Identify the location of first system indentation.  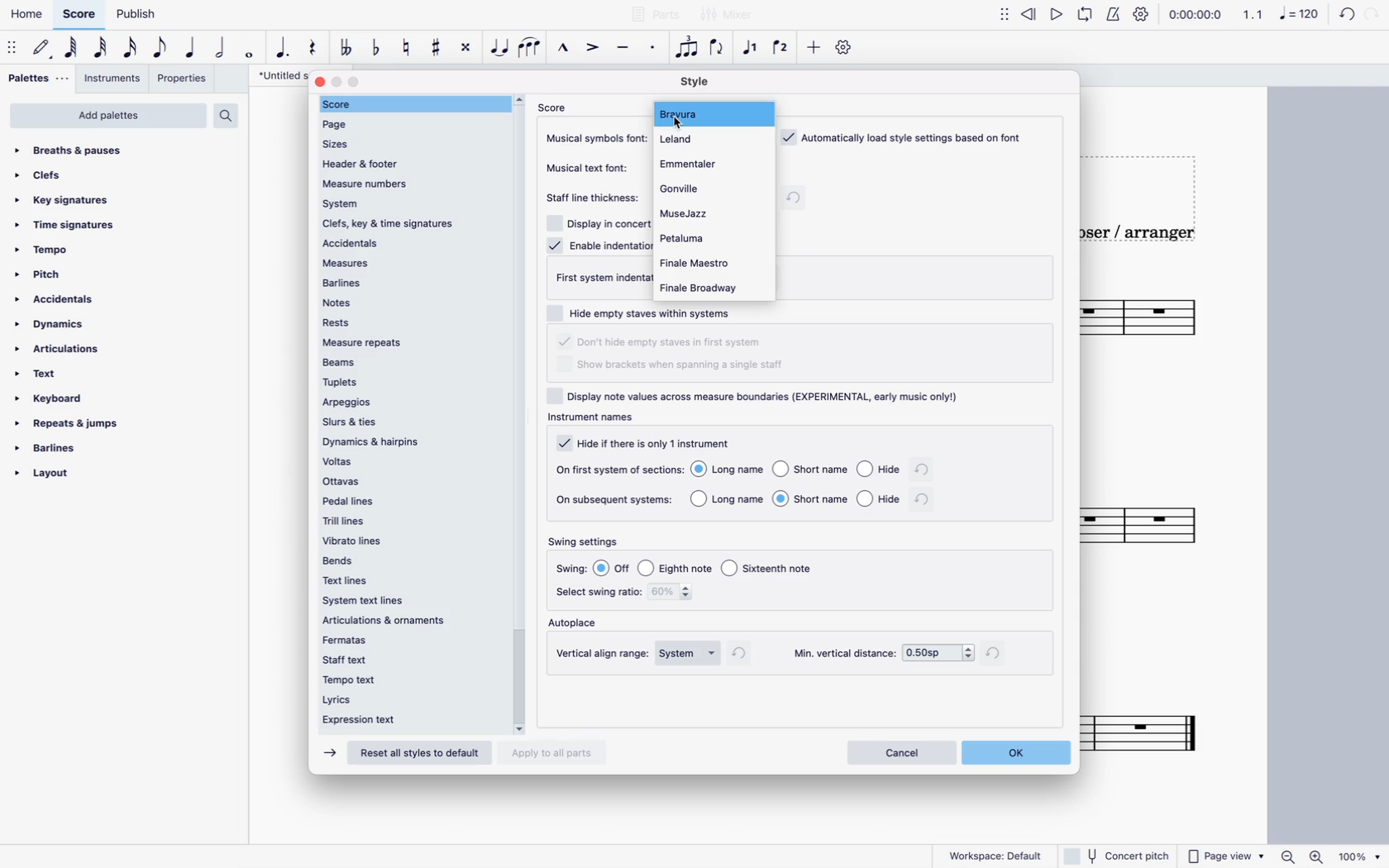
(604, 277).